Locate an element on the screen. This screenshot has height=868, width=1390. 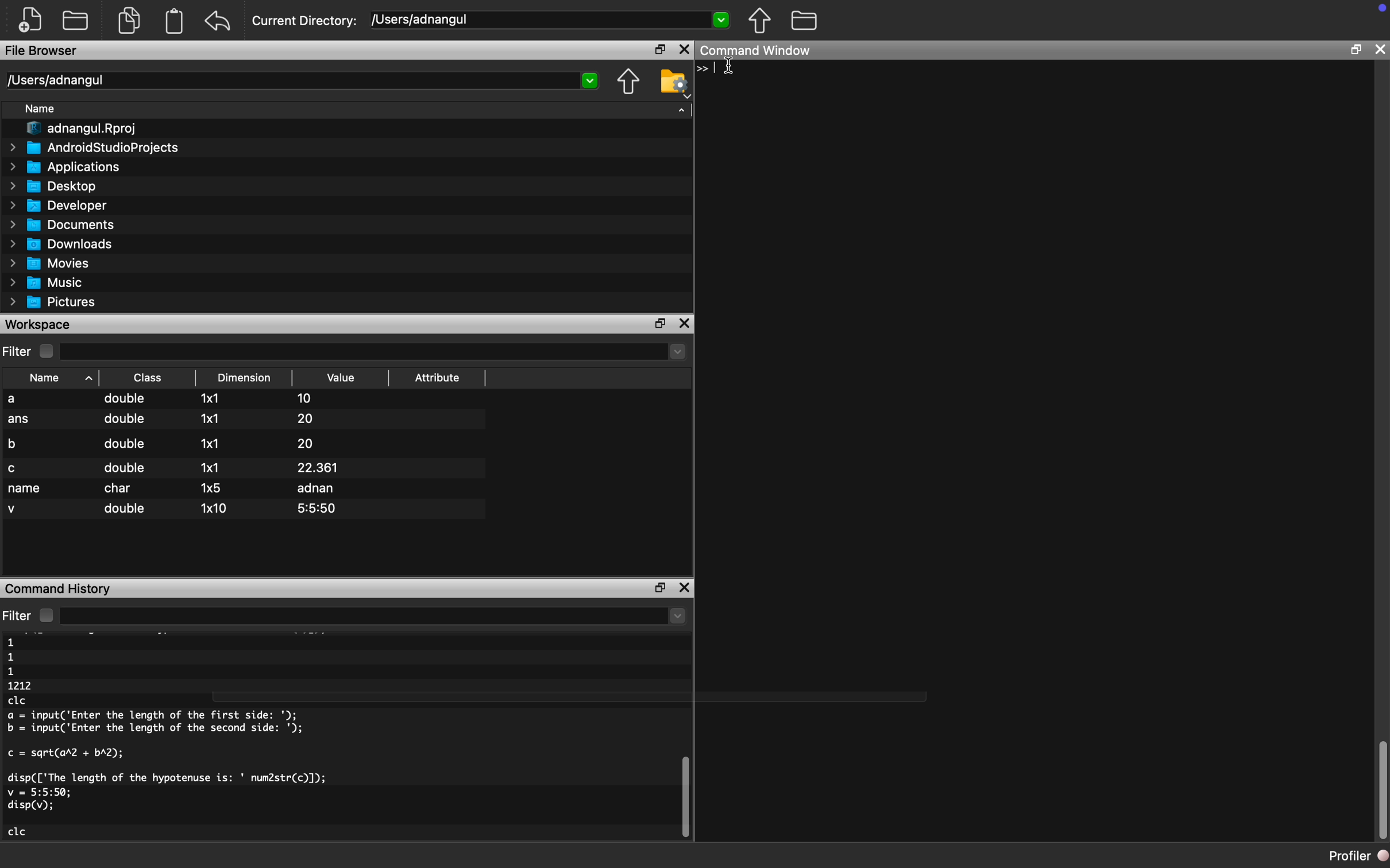
Command Window is located at coordinates (754, 50).